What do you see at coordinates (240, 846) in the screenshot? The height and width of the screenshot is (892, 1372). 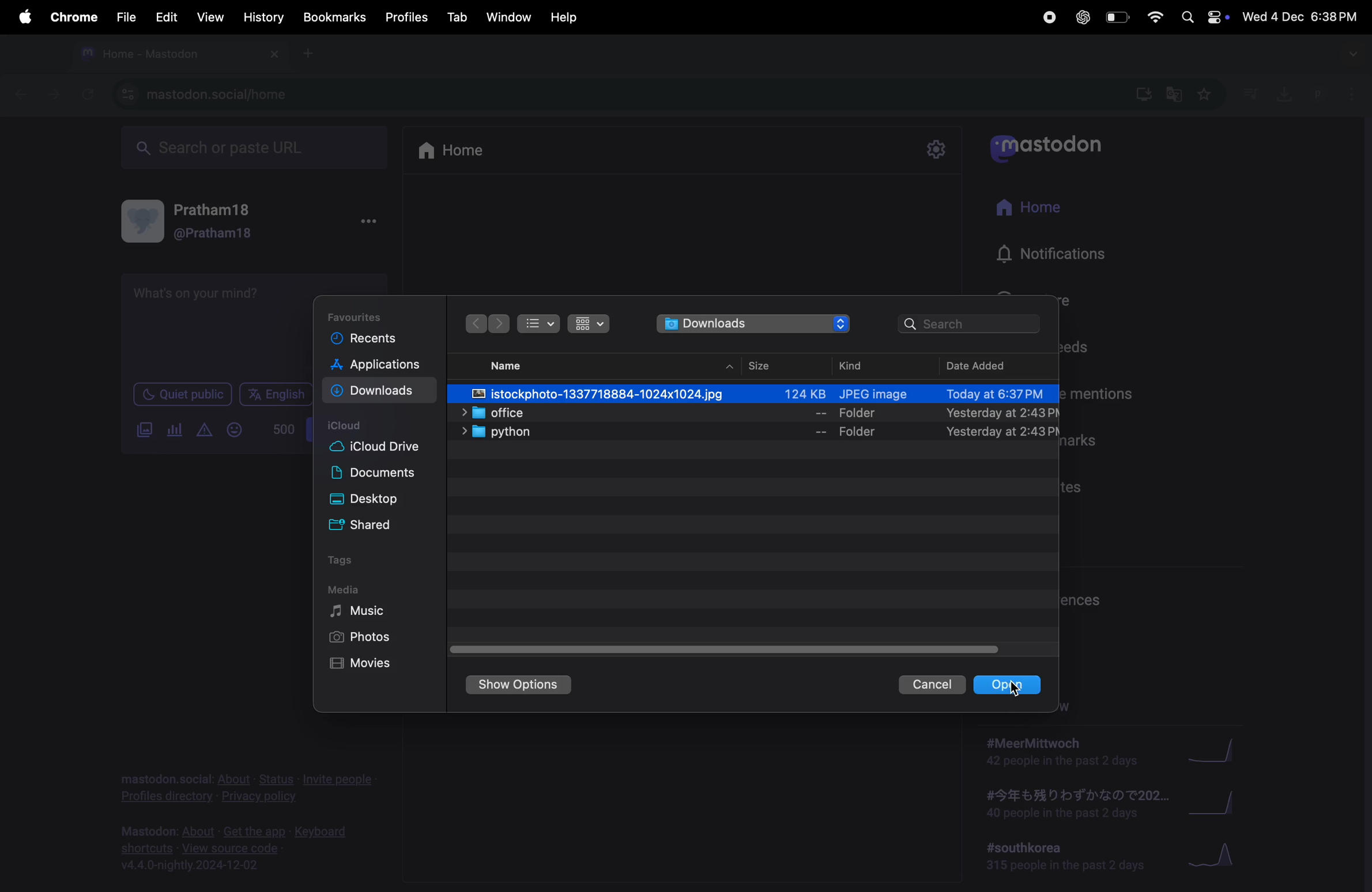 I see `mastdon source code` at bounding box center [240, 846].